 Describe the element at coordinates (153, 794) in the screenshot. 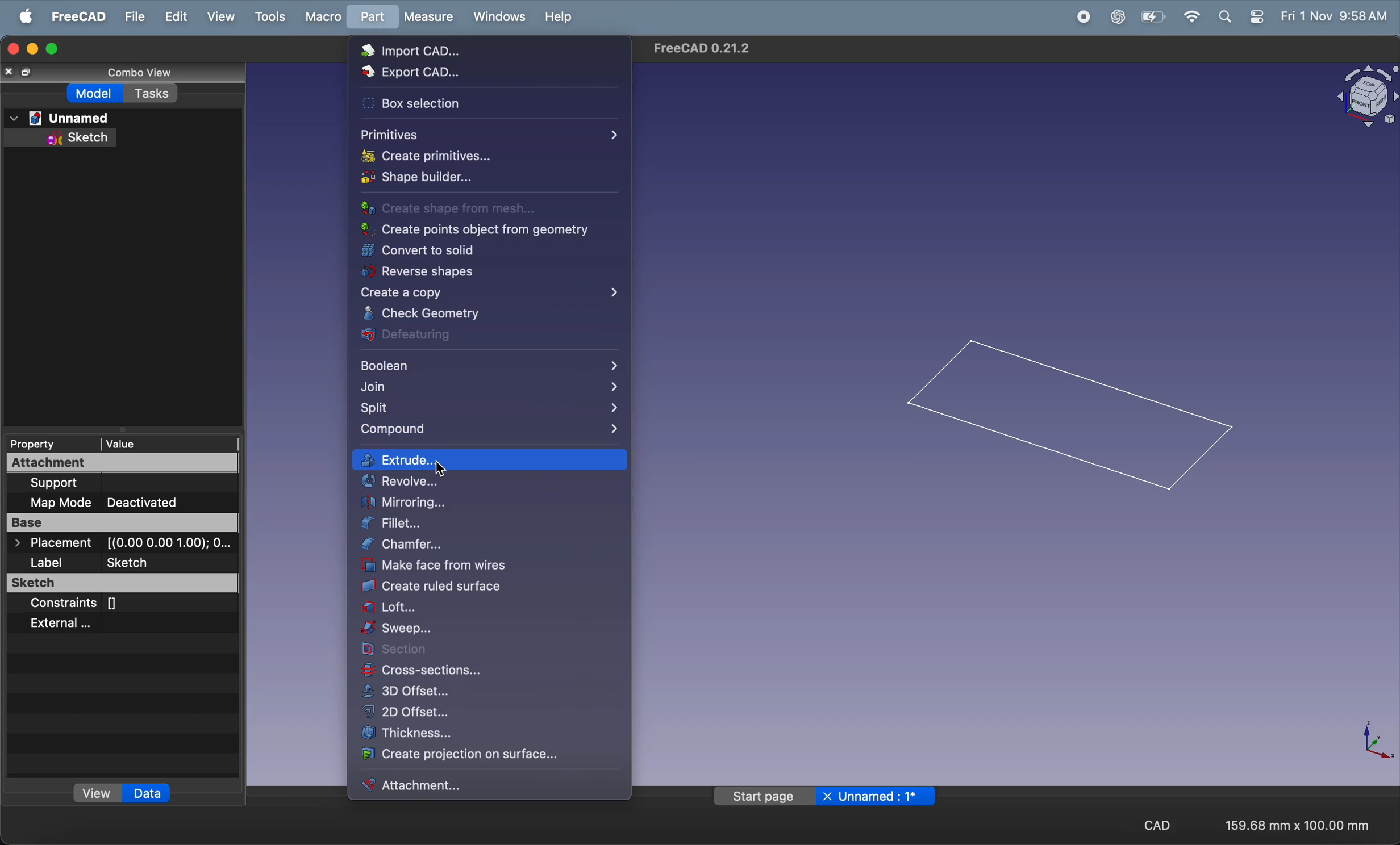

I see `data` at that location.